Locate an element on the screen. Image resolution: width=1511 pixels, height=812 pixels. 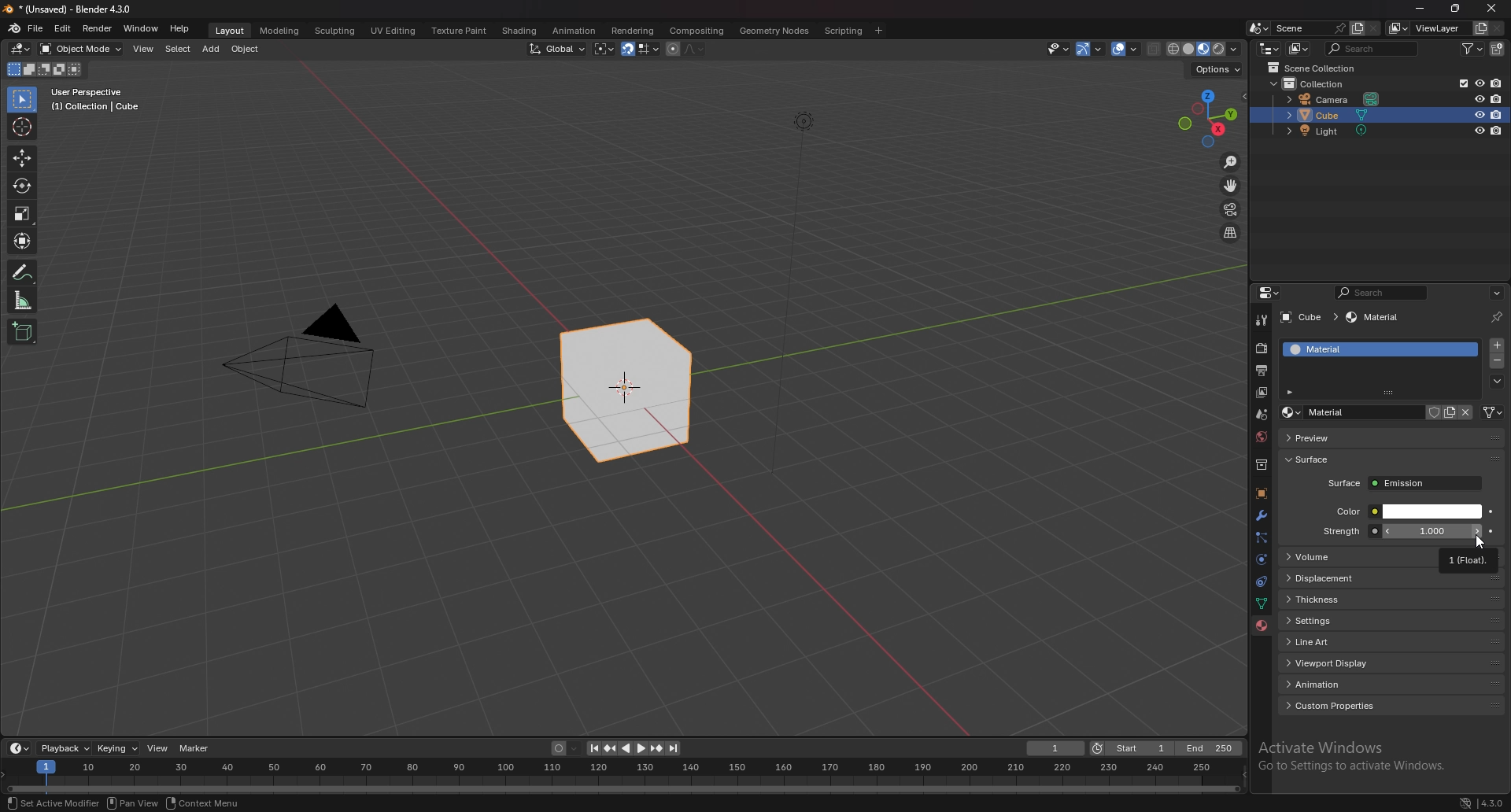
scrulpting is located at coordinates (337, 31).